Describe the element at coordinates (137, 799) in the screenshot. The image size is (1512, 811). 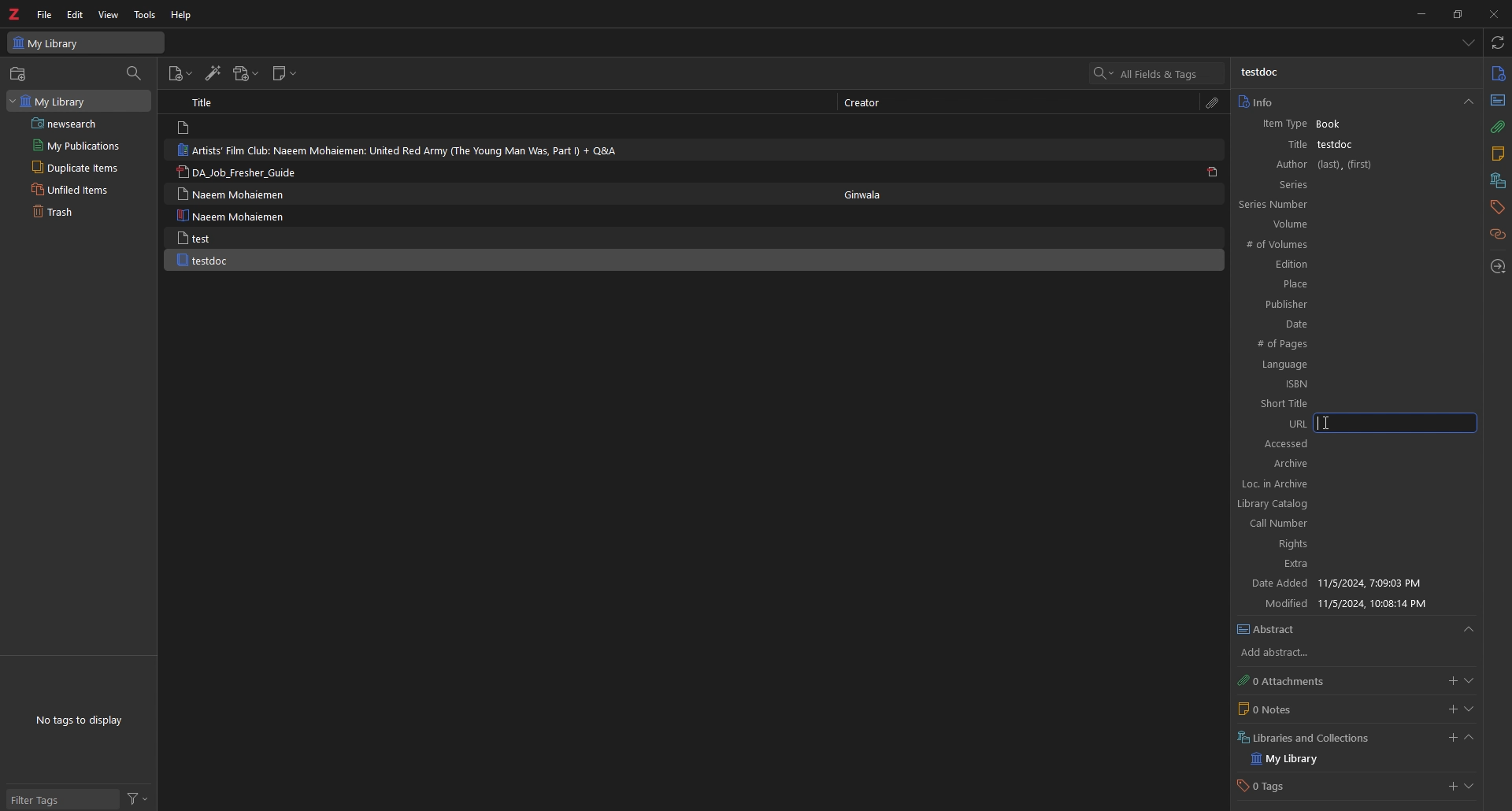
I see `filter` at that location.